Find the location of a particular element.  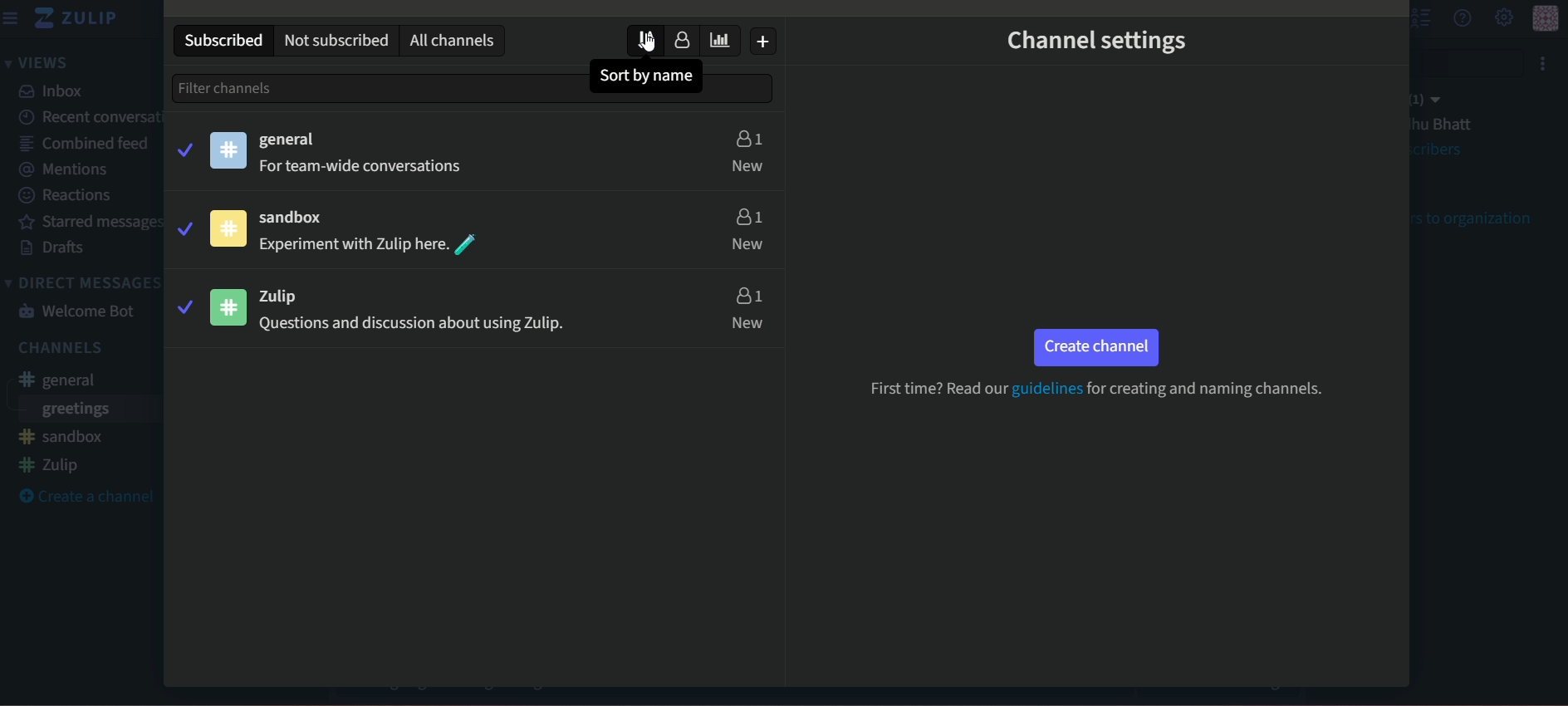

cursor is located at coordinates (642, 44).